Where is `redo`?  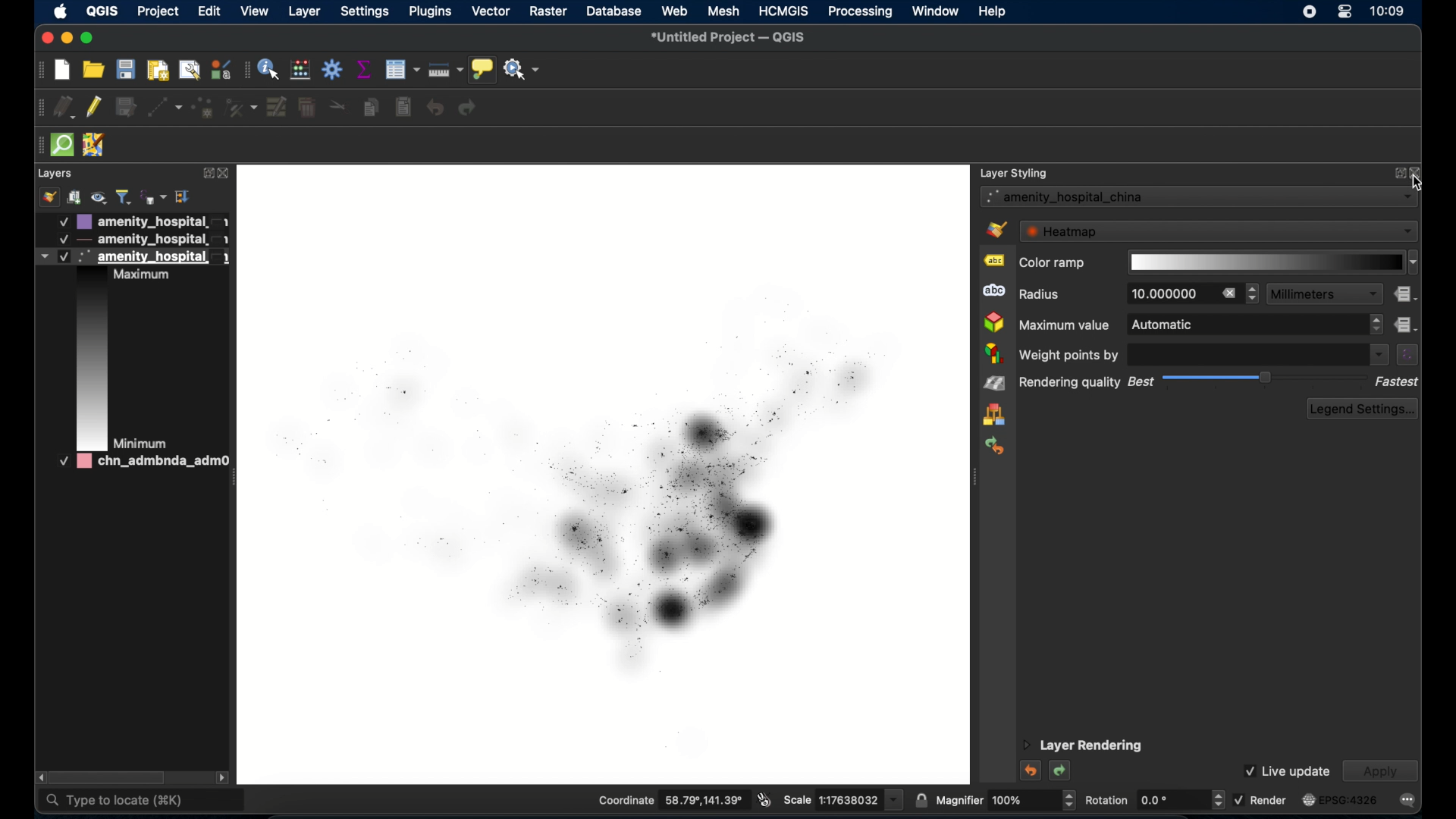
redo is located at coordinates (468, 110).